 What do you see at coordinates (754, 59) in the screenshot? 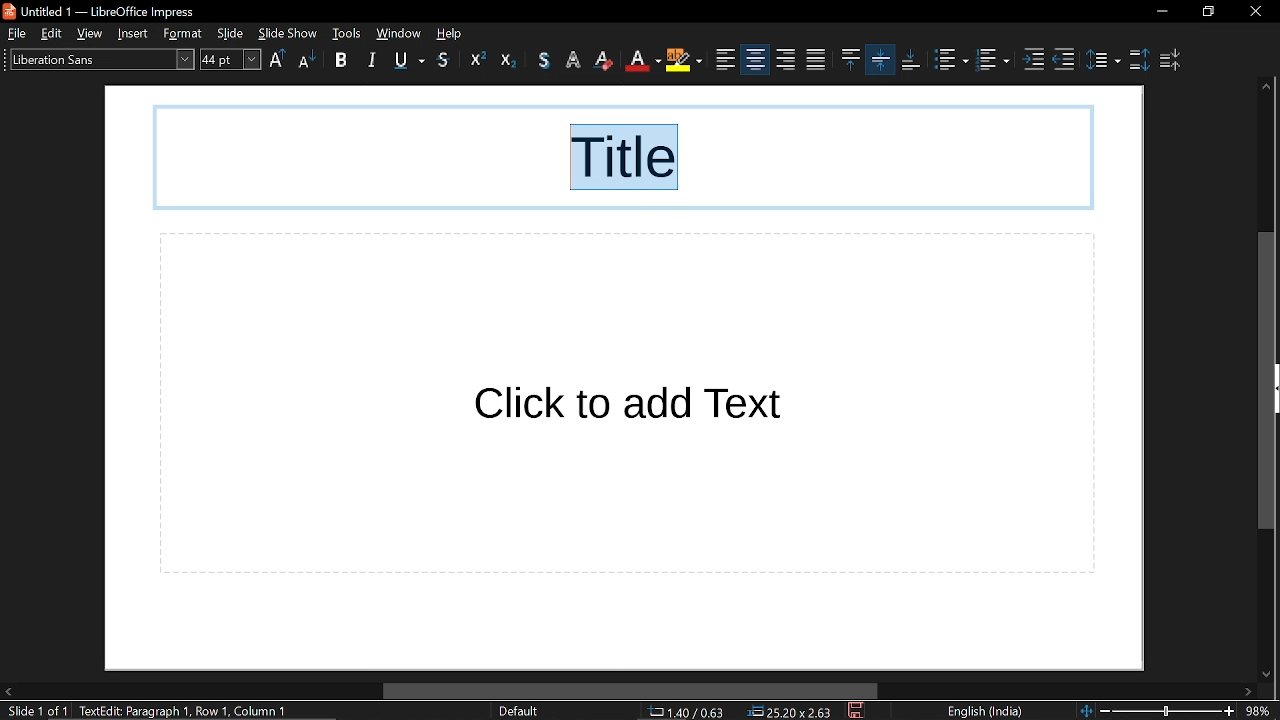
I see `align right` at bounding box center [754, 59].